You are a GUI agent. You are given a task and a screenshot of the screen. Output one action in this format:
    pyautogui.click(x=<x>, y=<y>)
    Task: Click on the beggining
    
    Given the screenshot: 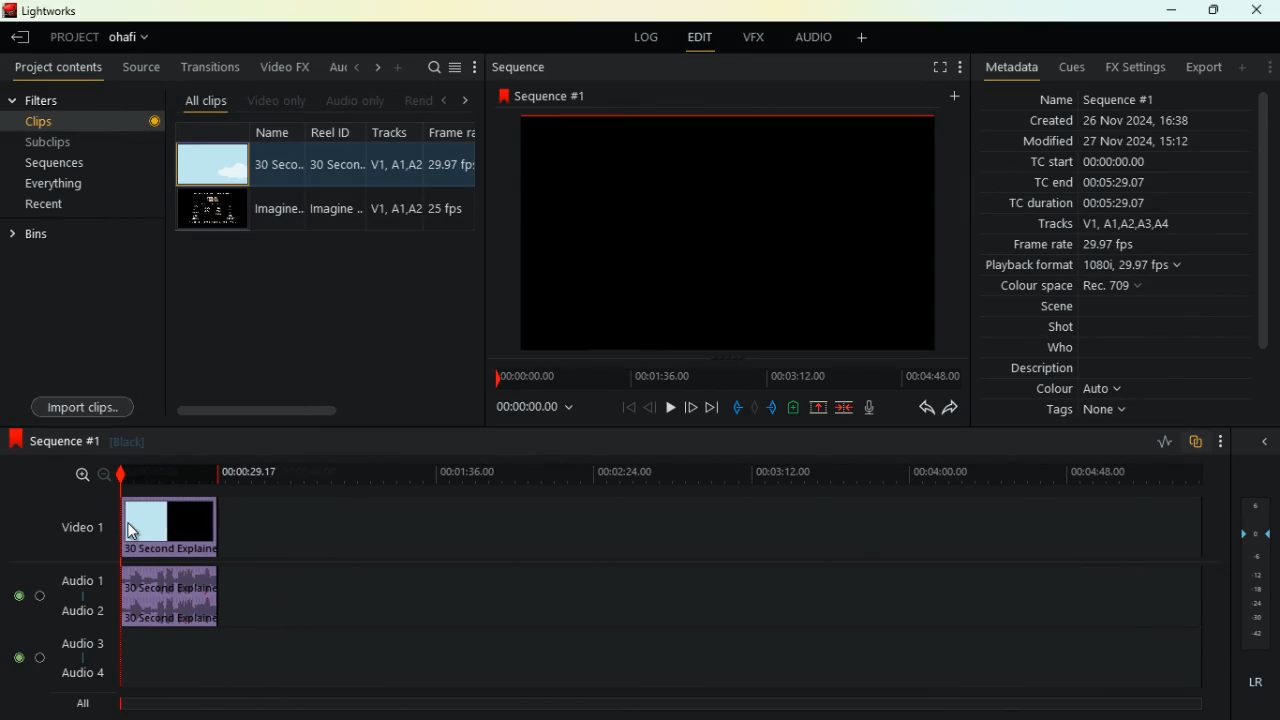 What is the action you would take?
    pyautogui.click(x=628, y=408)
    